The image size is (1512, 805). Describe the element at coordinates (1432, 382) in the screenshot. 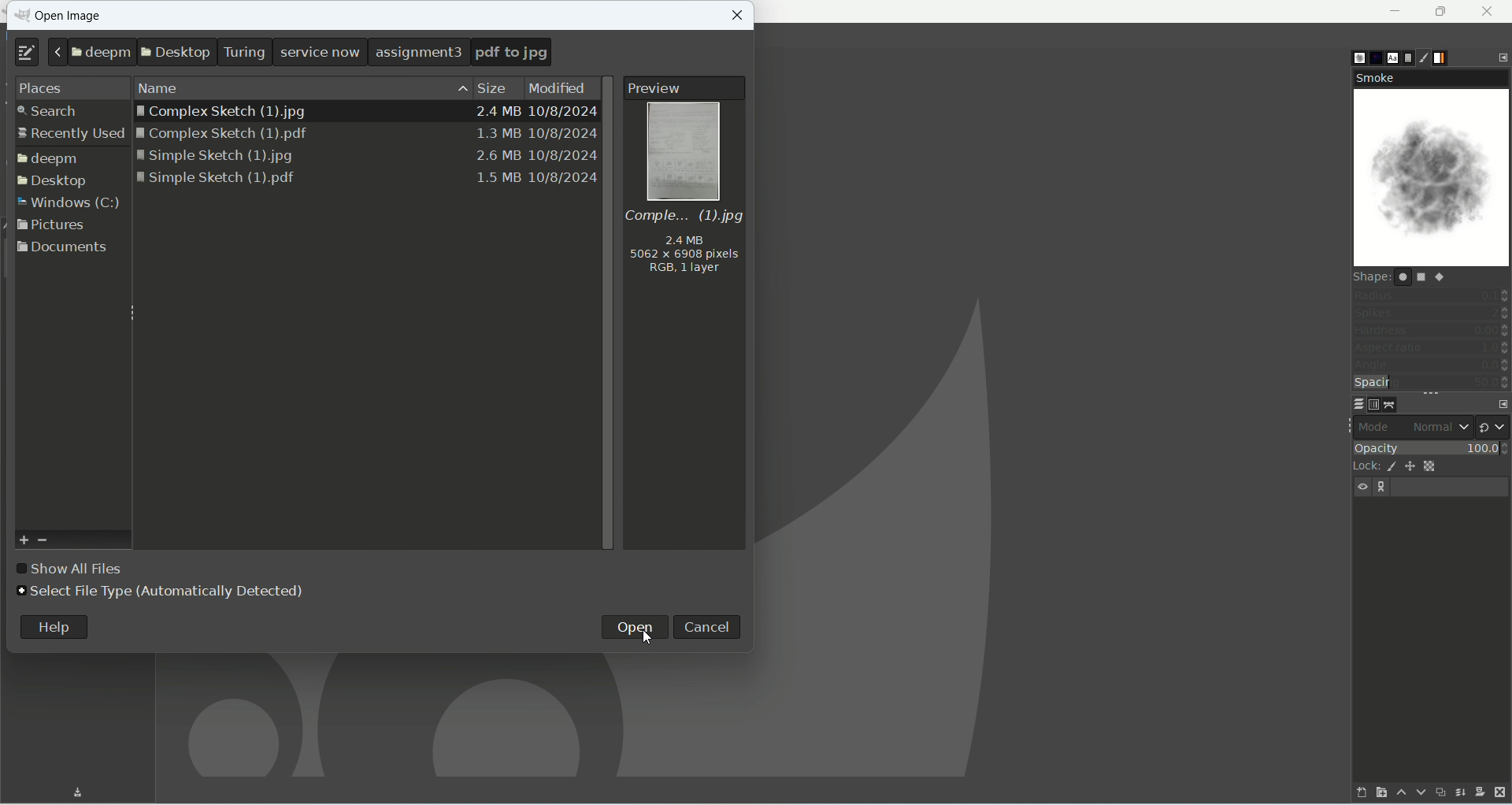

I see `spacing` at that location.